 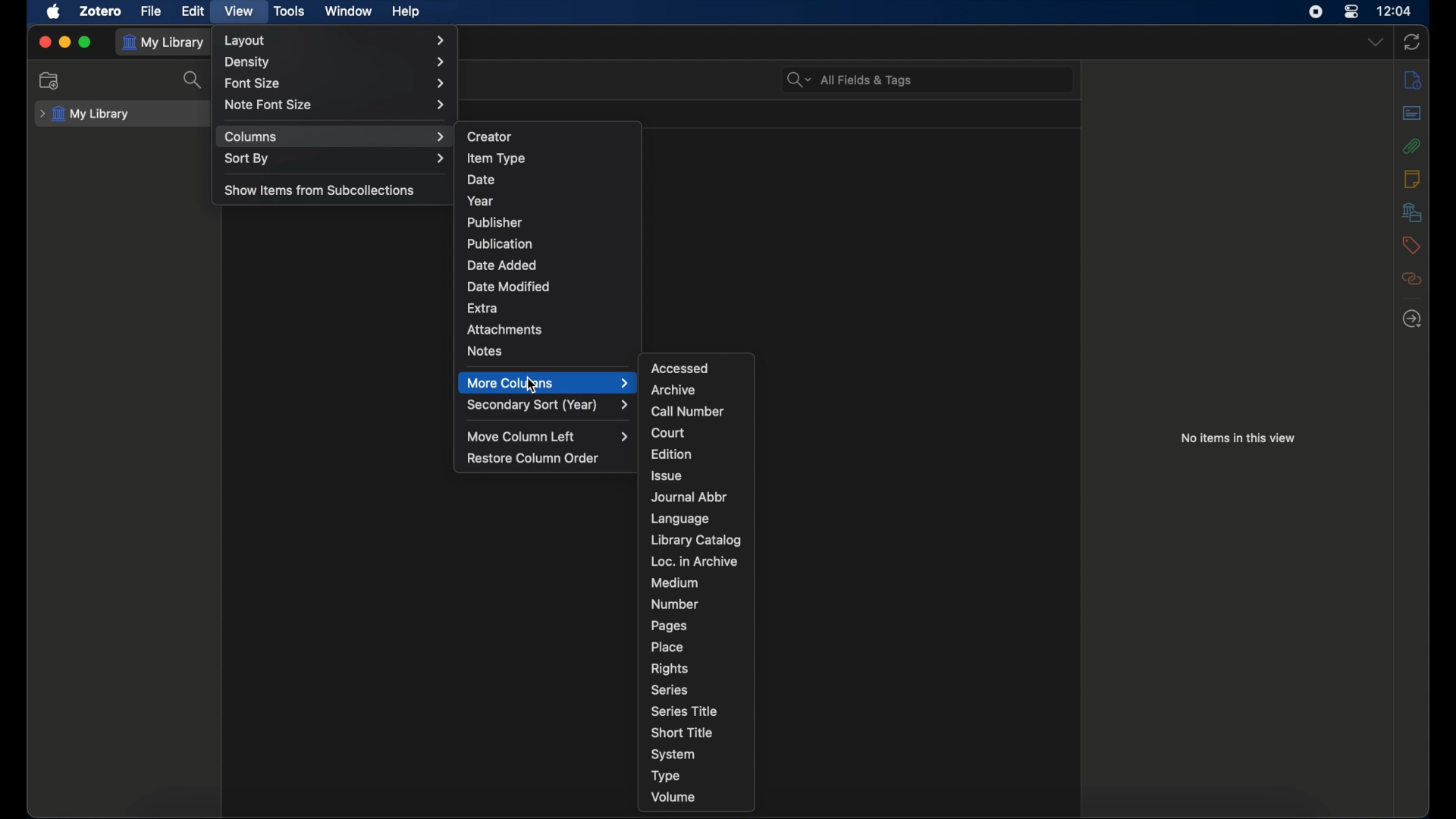 I want to click on edition, so click(x=673, y=453).